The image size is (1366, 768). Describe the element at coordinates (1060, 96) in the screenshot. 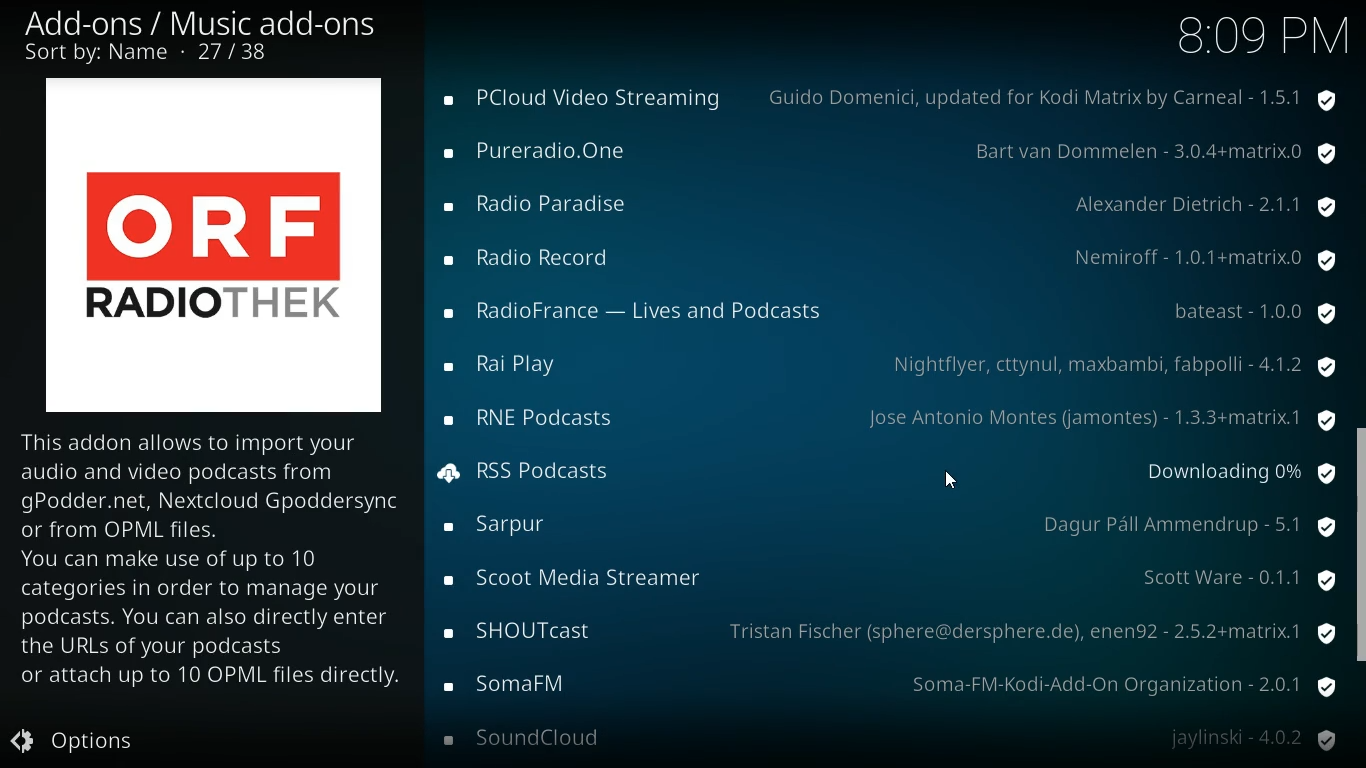

I see `provider` at that location.